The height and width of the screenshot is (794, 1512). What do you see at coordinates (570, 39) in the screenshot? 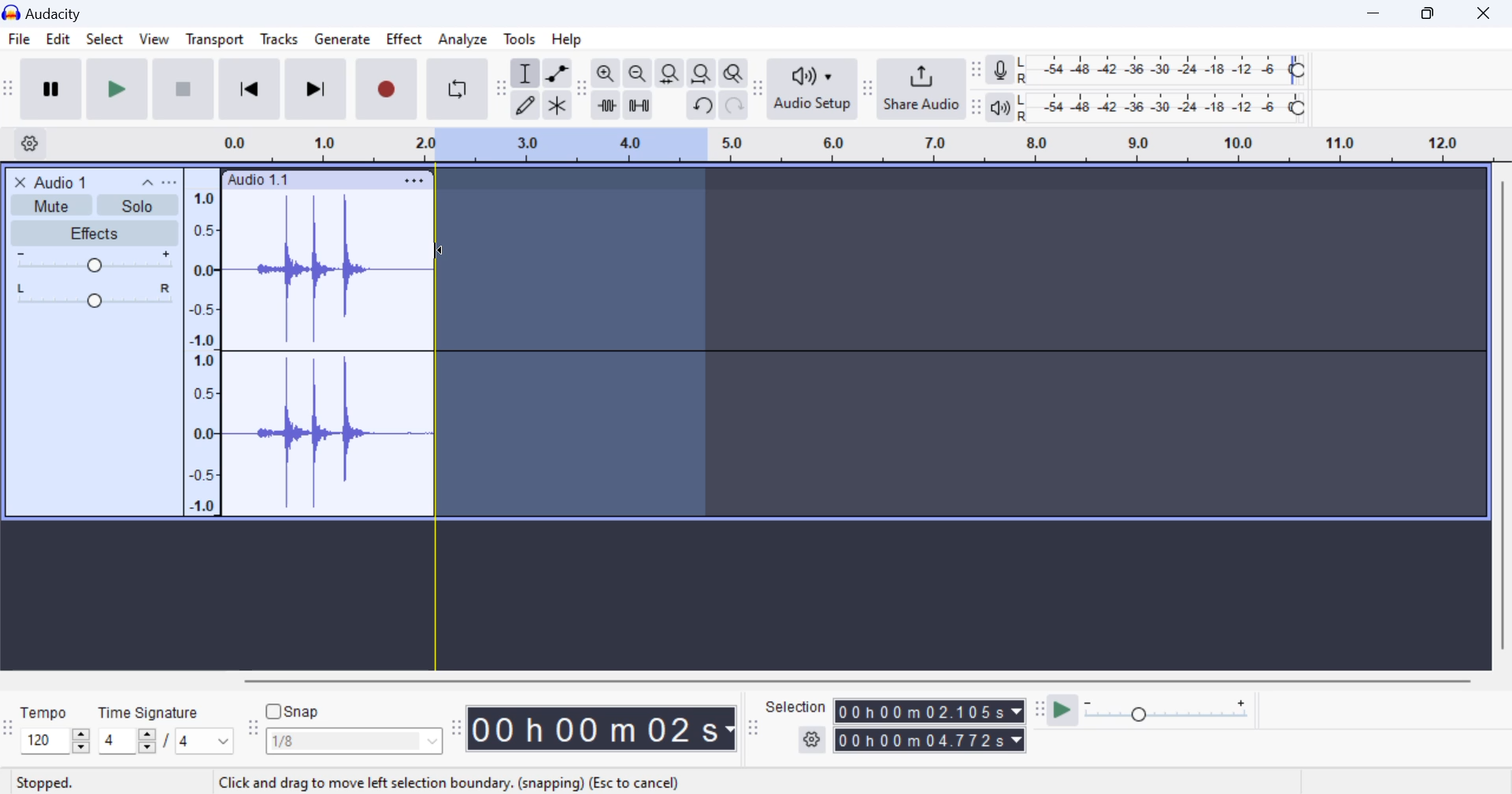
I see `Help` at bounding box center [570, 39].